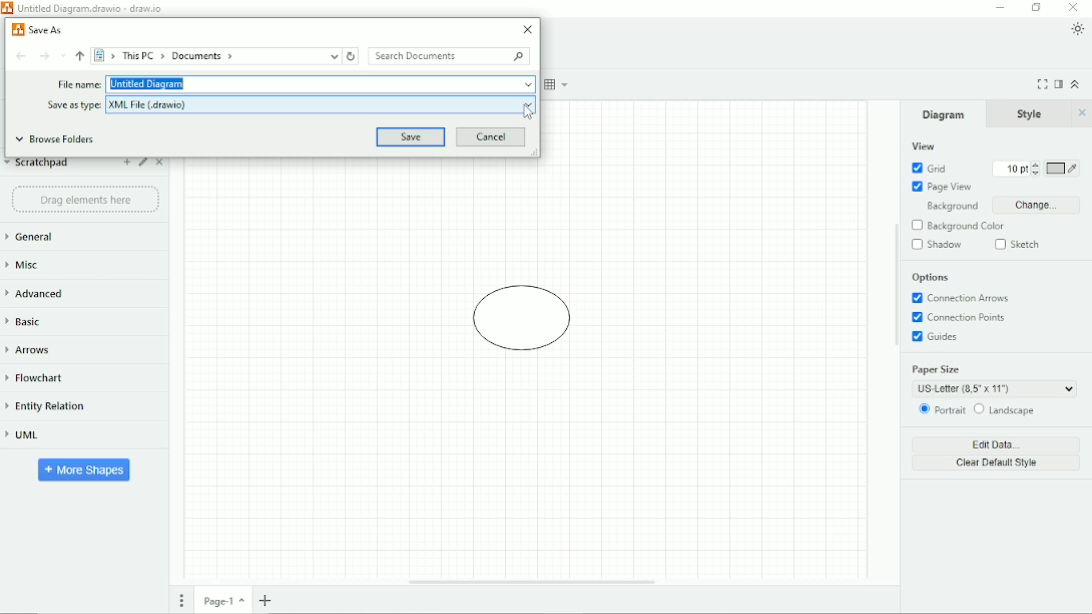  I want to click on Connection Arrows, so click(960, 297).